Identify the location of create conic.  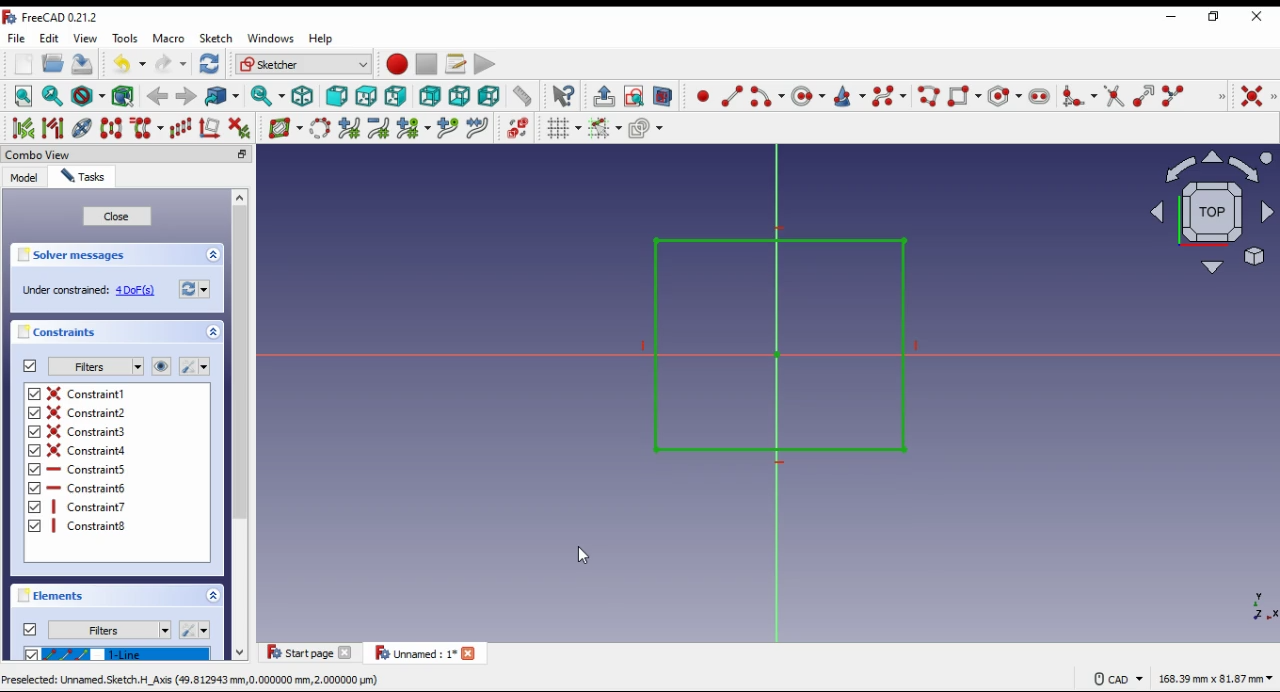
(848, 96).